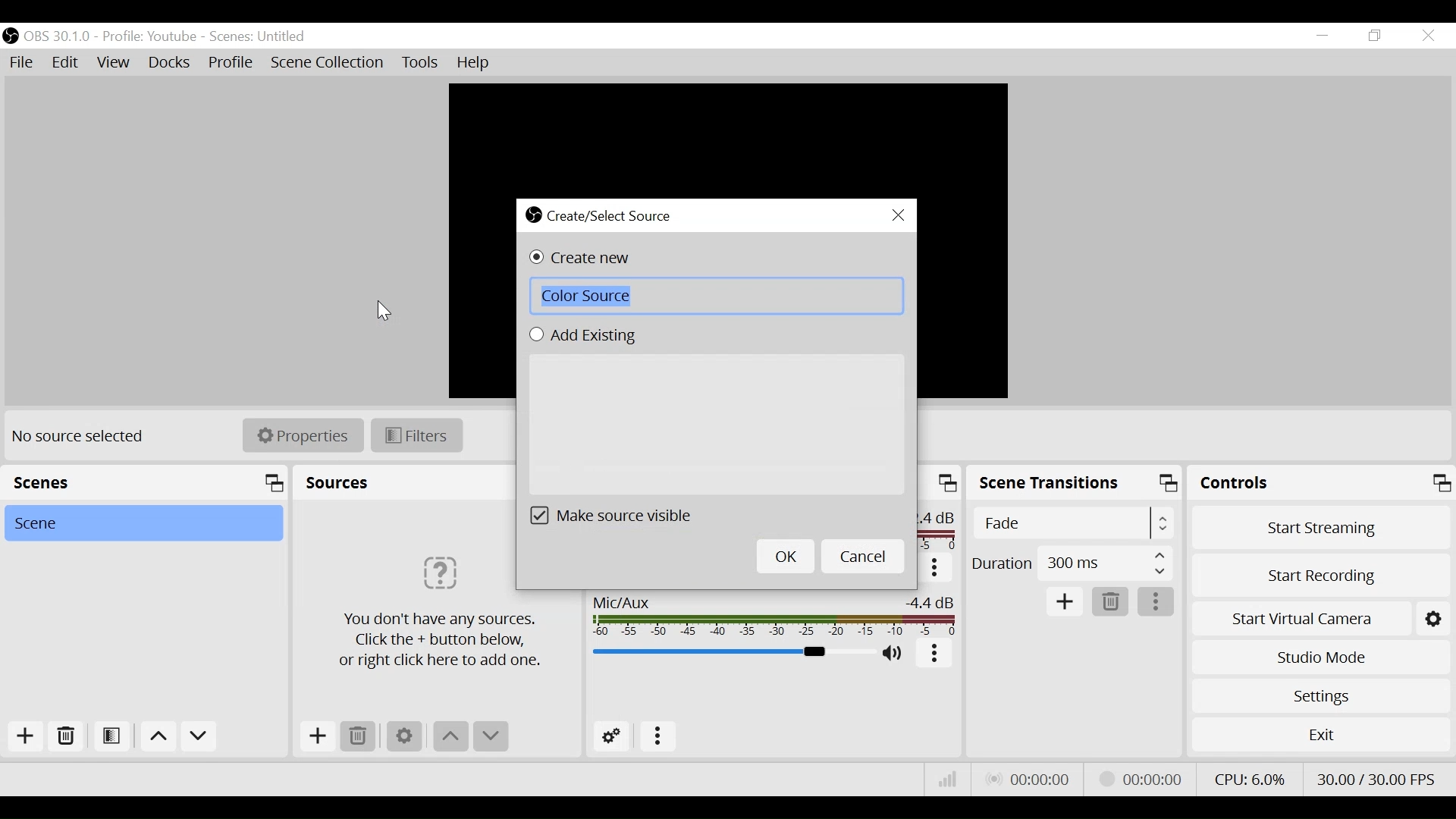 This screenshot has width=1456, height=819. What do you see at coordinates (1322, 485) in the screenshot?
I see `Controls` at bounding box center [1322, 485].